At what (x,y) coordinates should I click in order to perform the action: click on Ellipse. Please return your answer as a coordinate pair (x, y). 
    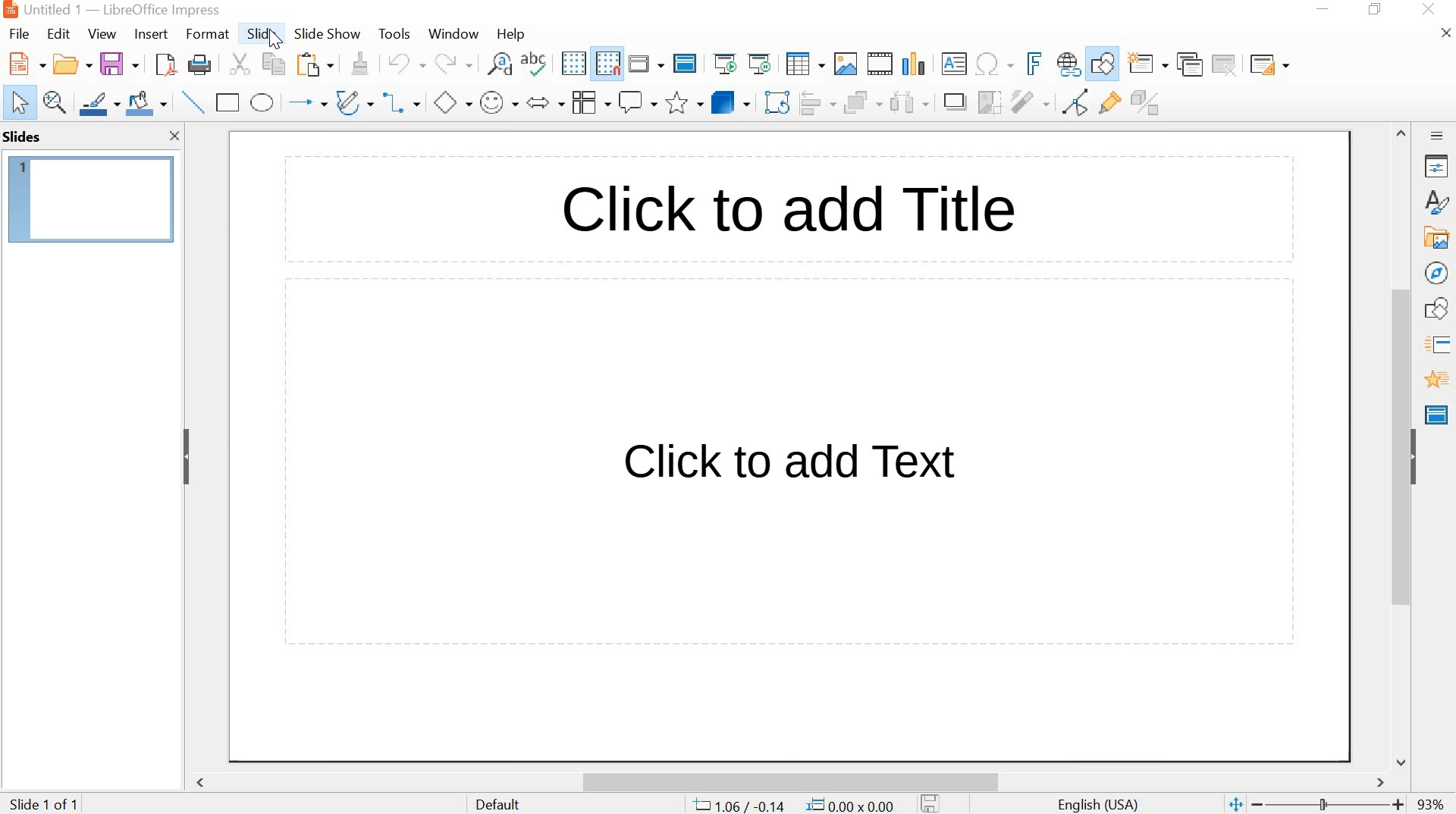
    Looking at the image, I should click on (263, 102).